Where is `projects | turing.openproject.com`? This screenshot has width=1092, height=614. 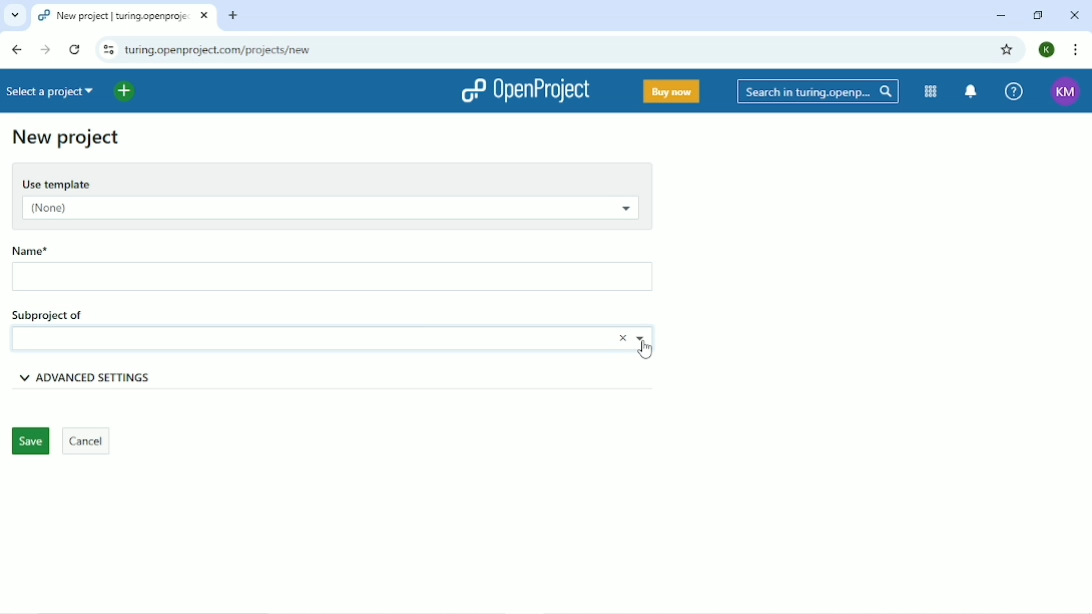 projects | turing.openproject.com is located at coordinates (112, 16).